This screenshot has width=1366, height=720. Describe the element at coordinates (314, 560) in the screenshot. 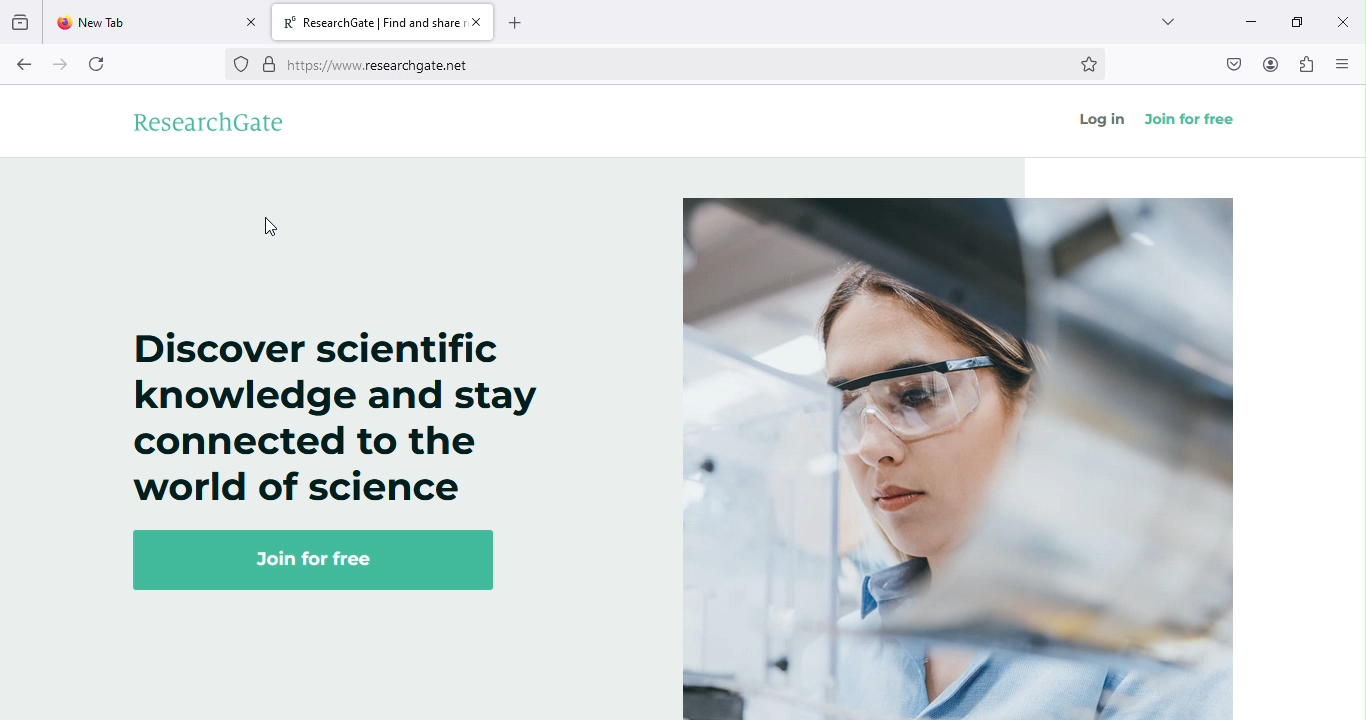

I see `Join for free` at that location.